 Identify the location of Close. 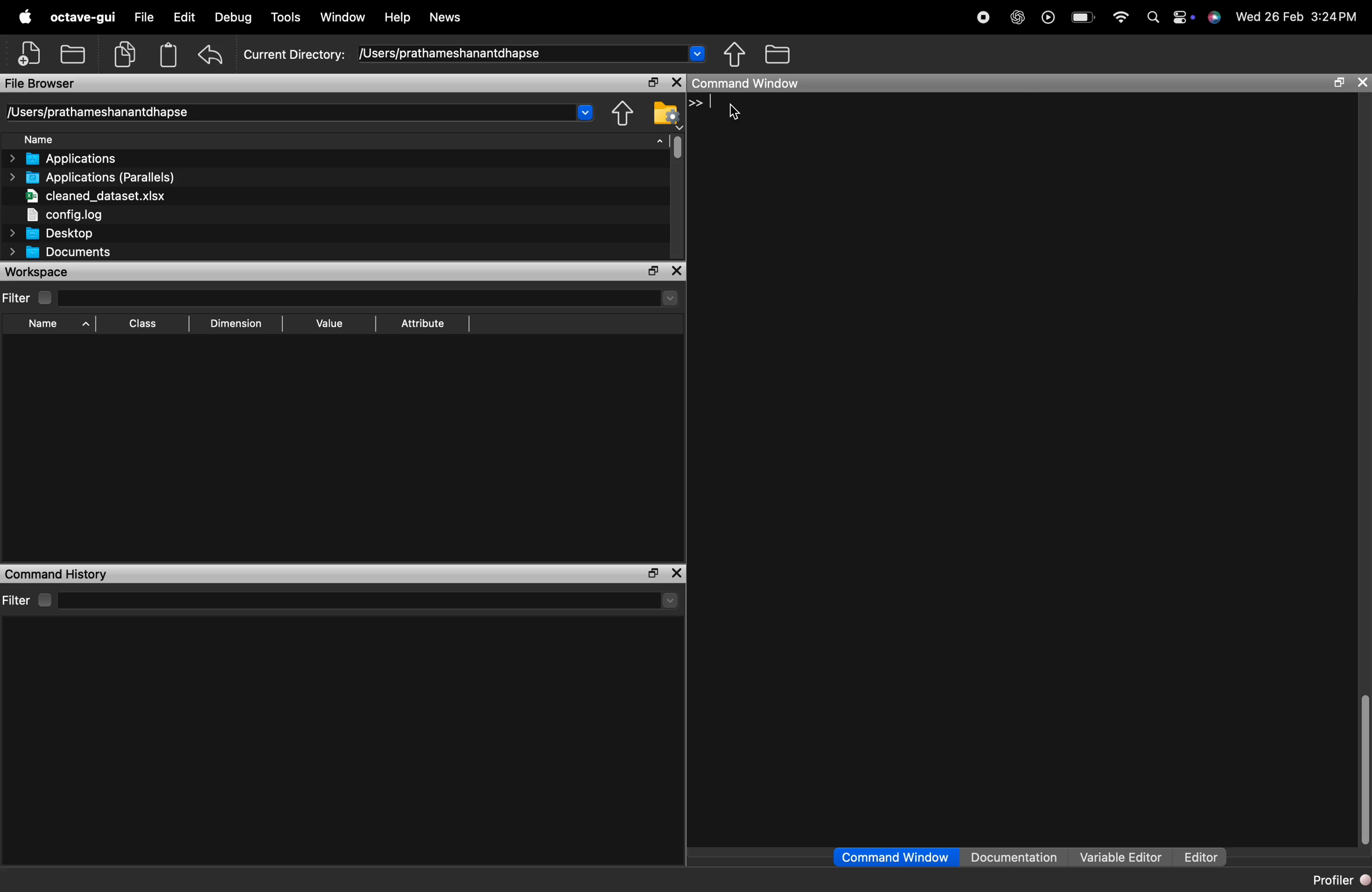
(675, 82).